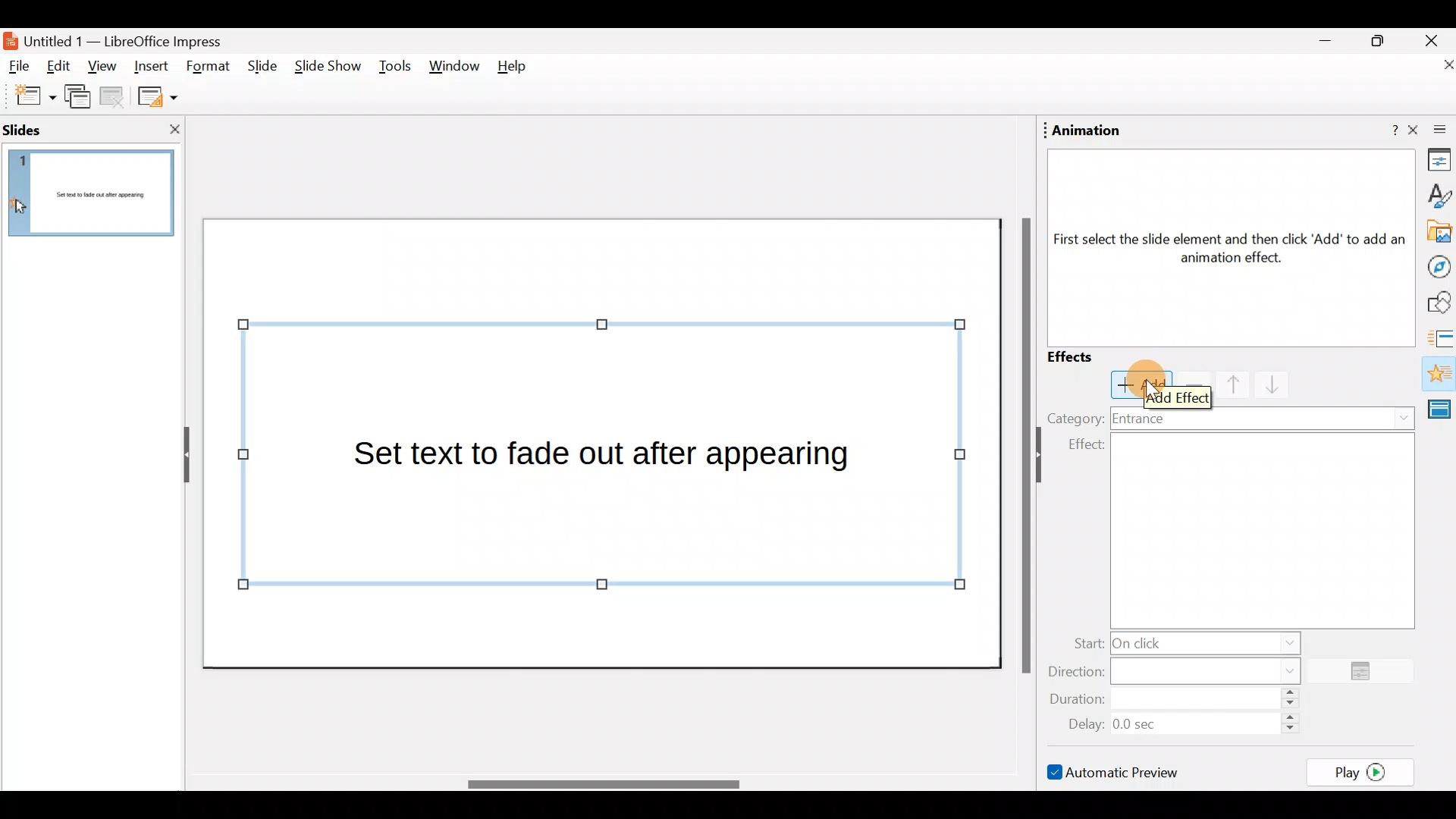 The width and height of the screenshot is (1456, 819). Describe the element at coordinates (1432, 39) in the screenshot. I see `Close` at that location.